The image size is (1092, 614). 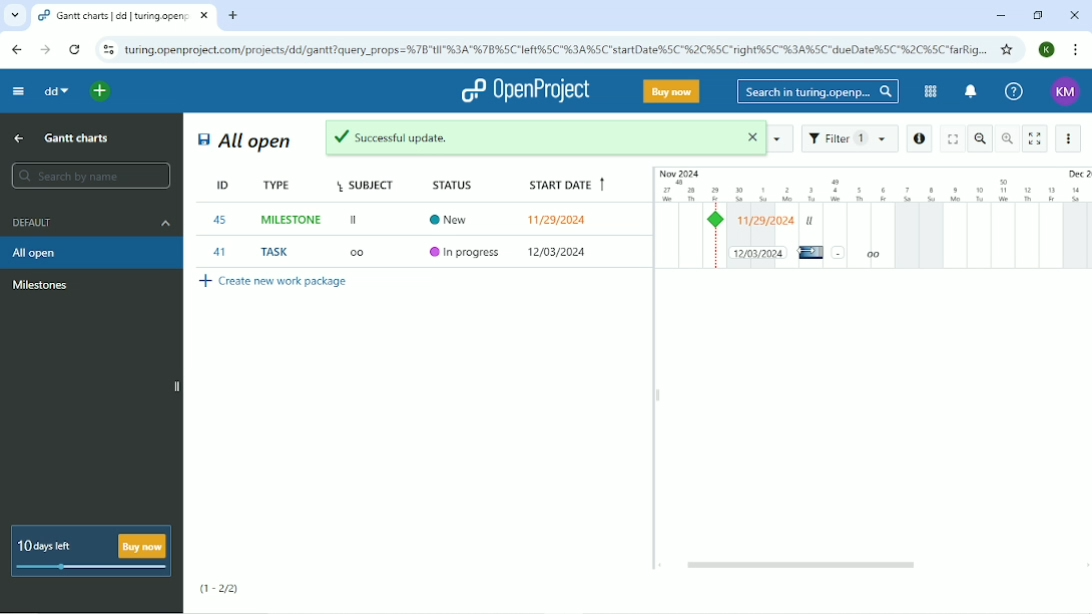 What do you see at coordinates (220, 252) in the screenshot?
I see `41` at bounding box center [220, 252].